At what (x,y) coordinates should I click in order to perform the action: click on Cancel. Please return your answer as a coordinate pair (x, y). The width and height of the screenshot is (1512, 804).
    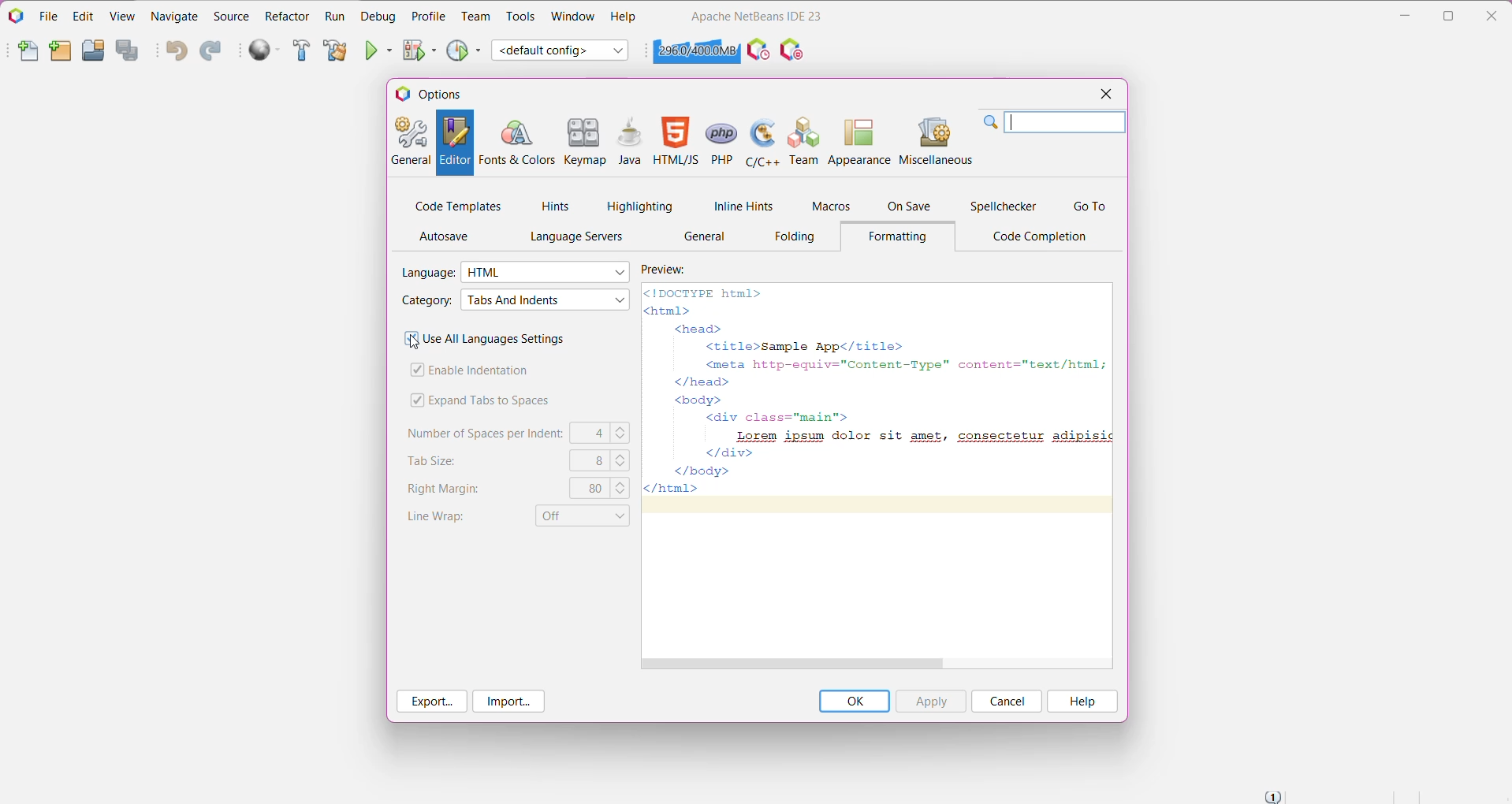
    Looking at the image, I should click on (1006, 702).